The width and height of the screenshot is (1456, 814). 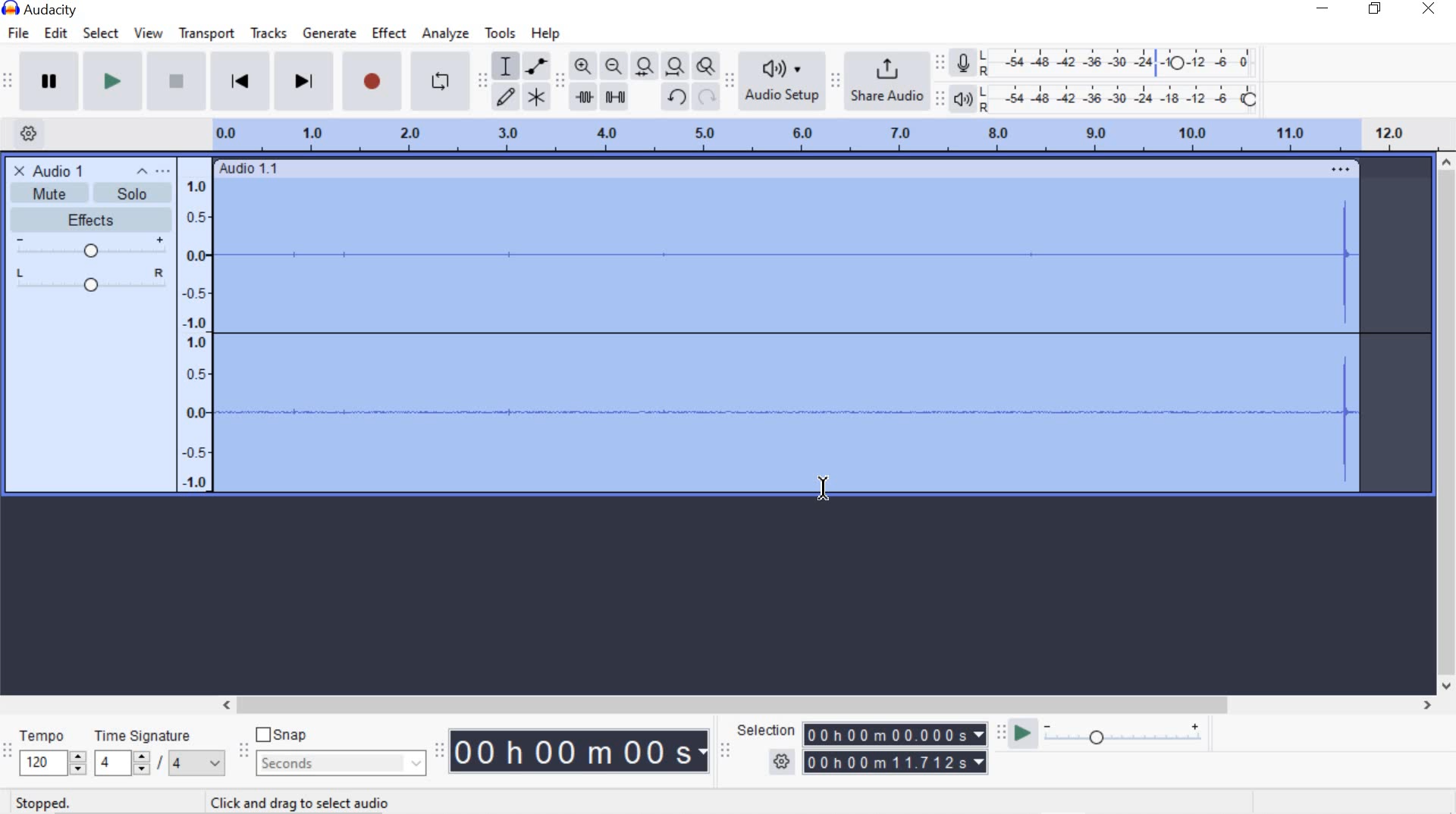 What do you see at coordinates (615, 96) in the screenshot?
I see `Silence audio selection` at bounding box center [615, 96].